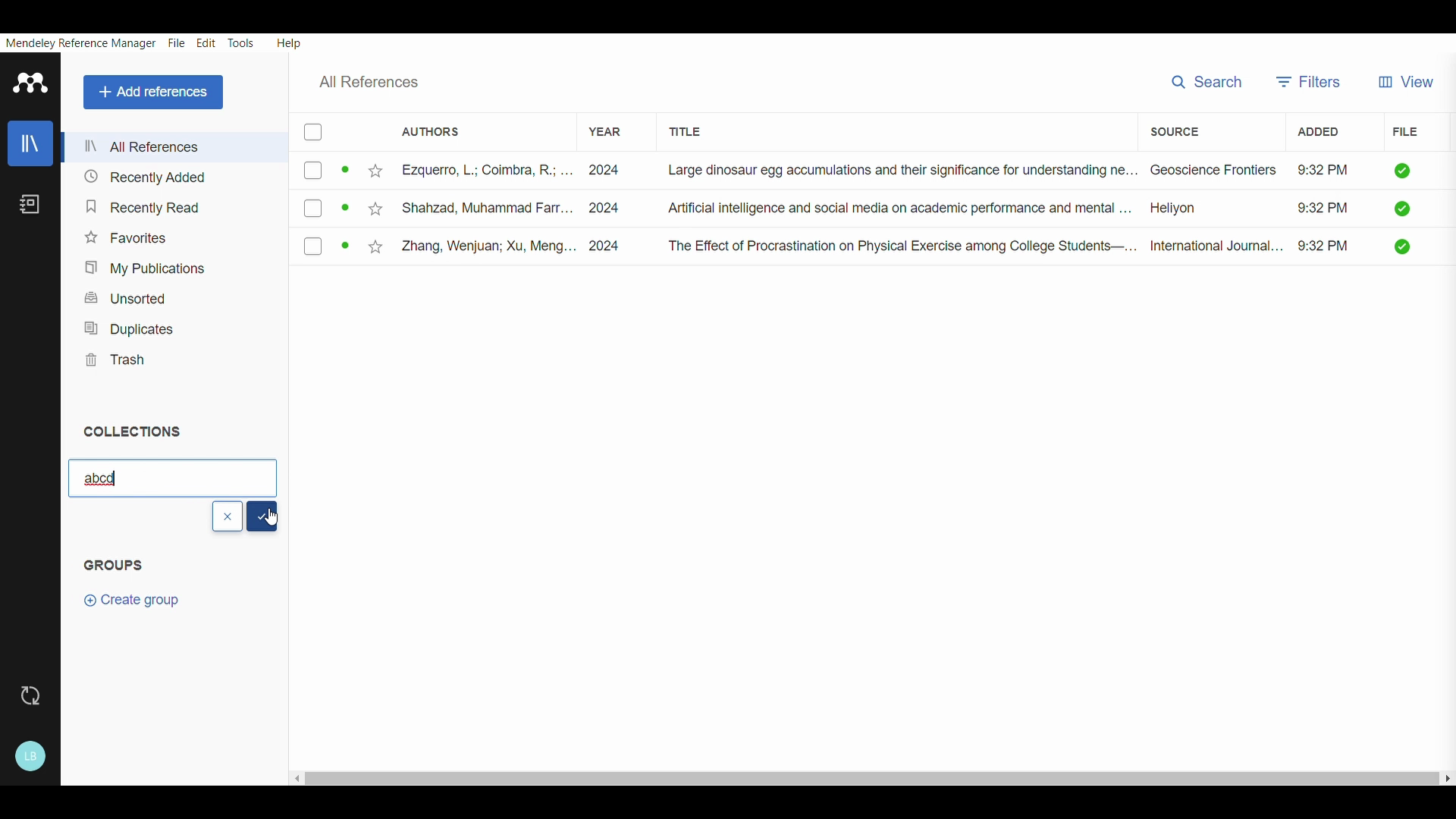  Describe the element at coordinates (171, 476) in the screenshot. I see `Textbox` at that location.